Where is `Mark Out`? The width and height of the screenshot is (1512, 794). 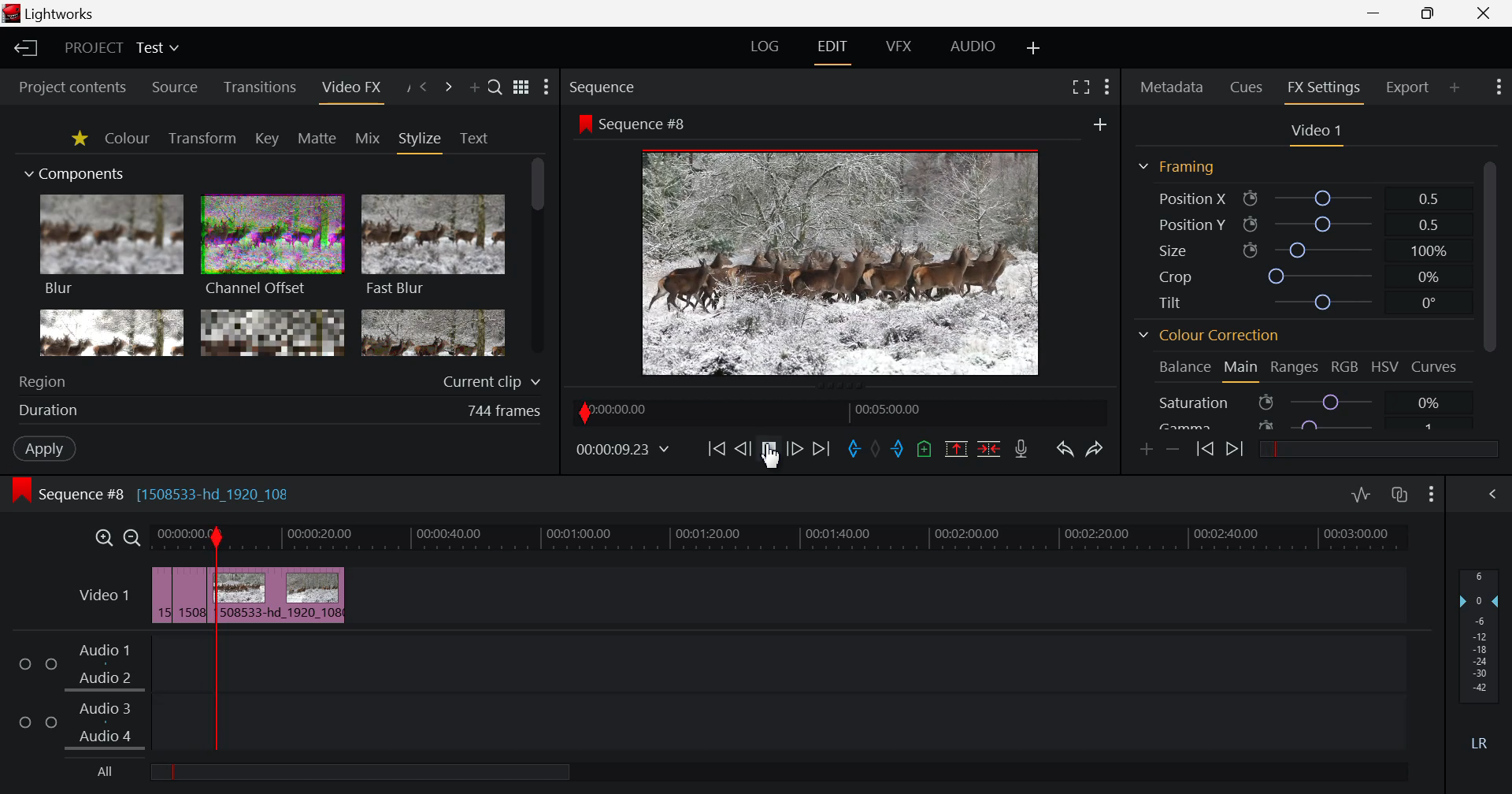 Mark Out is located at coordinates (902, 451).